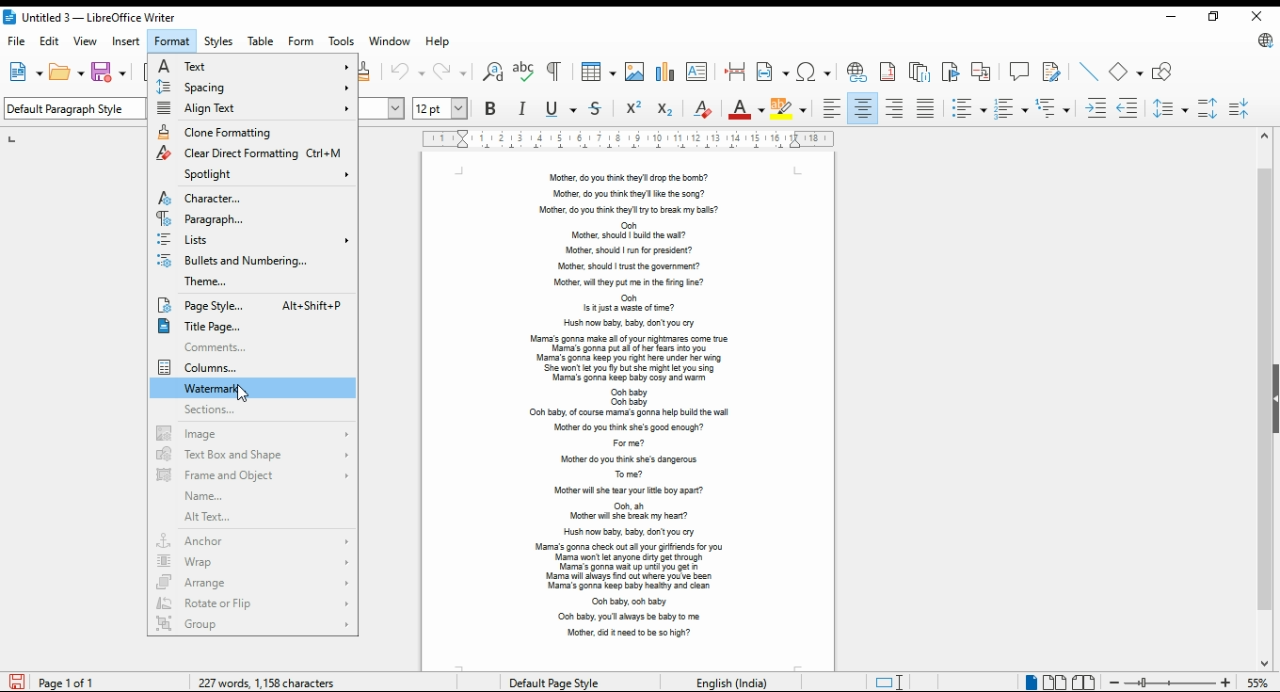  Describe the element at coordinates (263, 41) in the screenshot. I see `table` at that location.